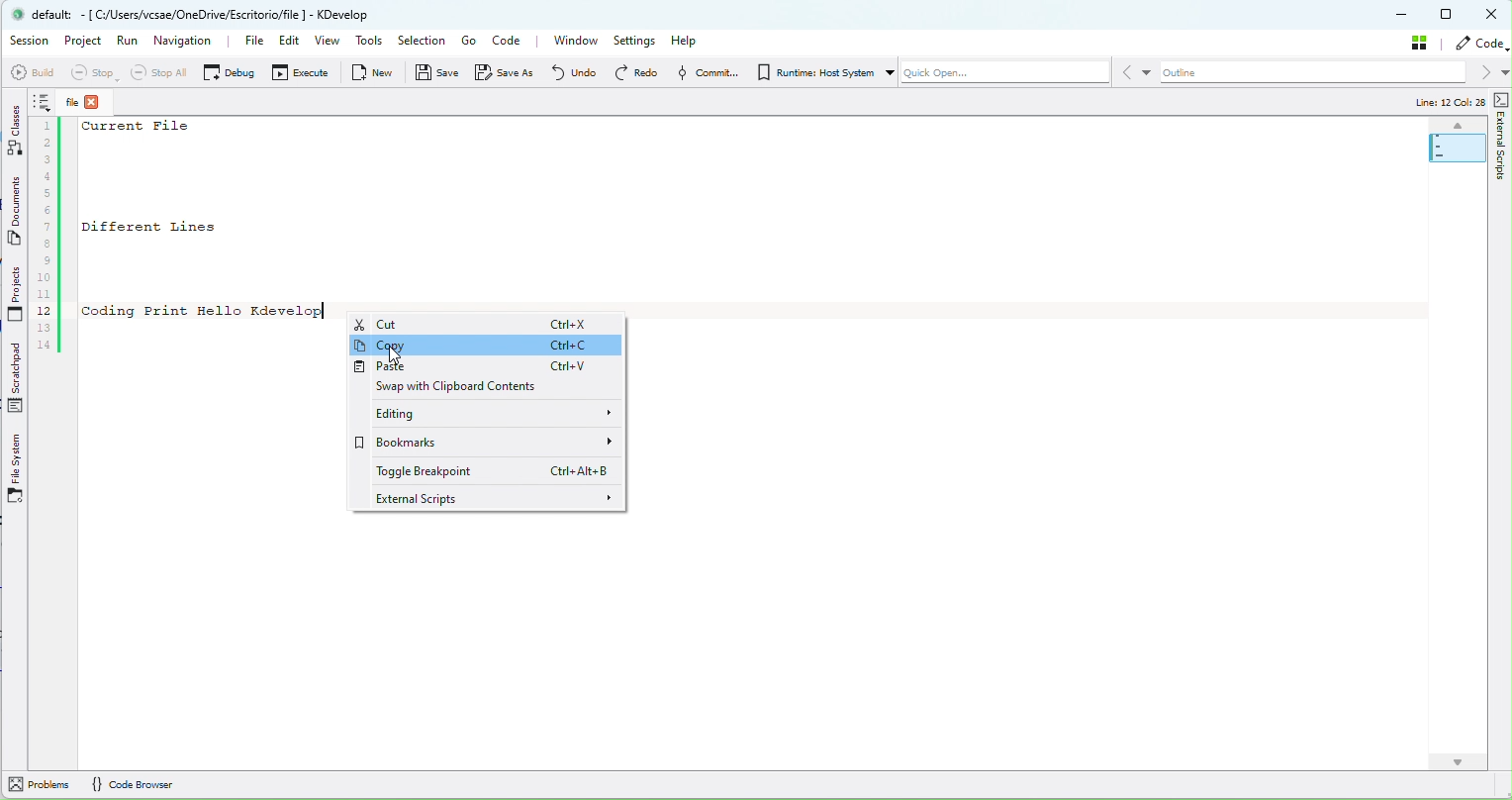  Describe the element at coordinates (421, 42) in the screenshot. I see `Selection` at that location.